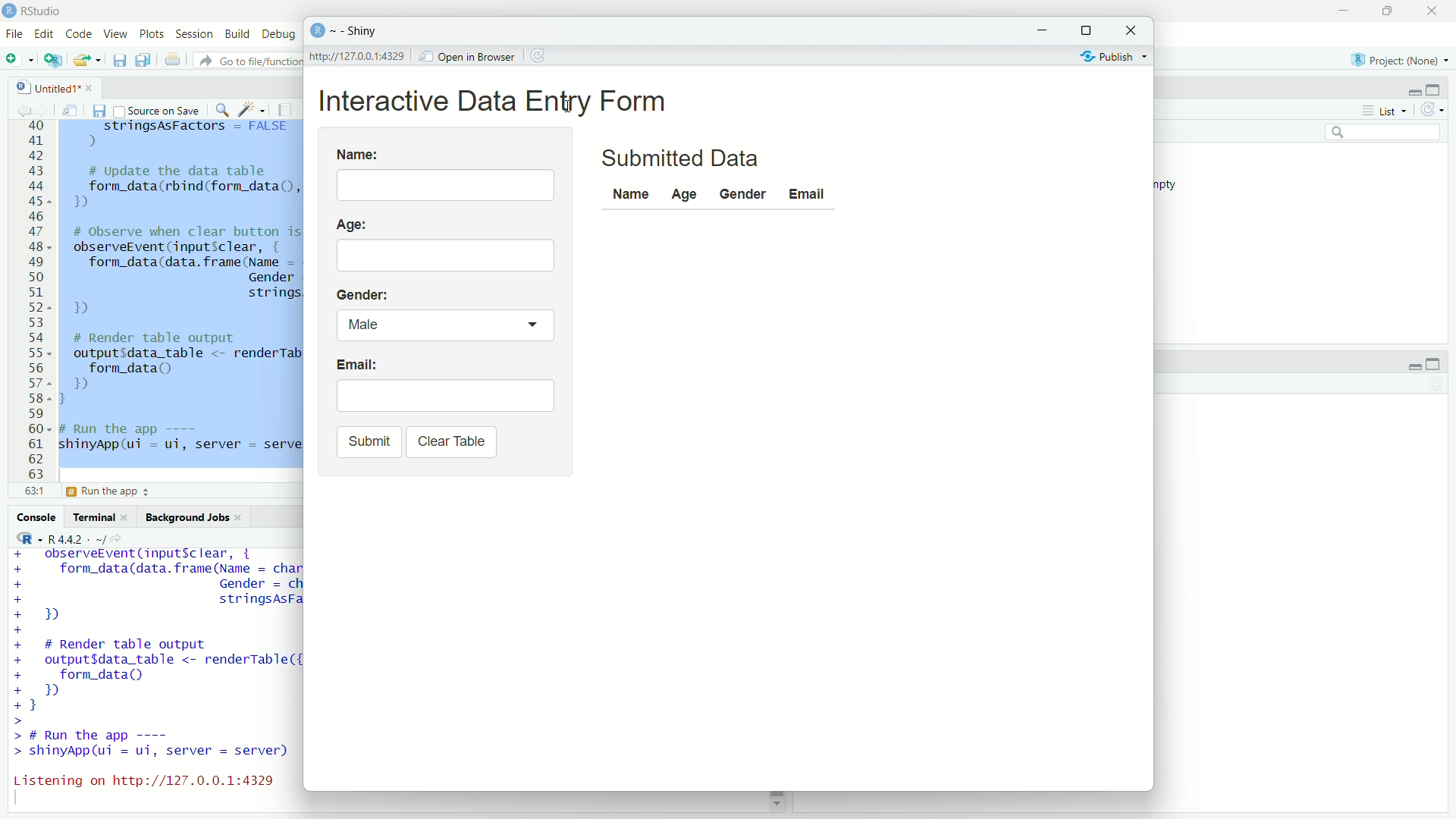 Image resolution: width=1456 pixels, height=819 pixels. What do you see at coordinates (450, 442) in the screenshot?
I see `Clear Table` at bounding box center [450, 442].